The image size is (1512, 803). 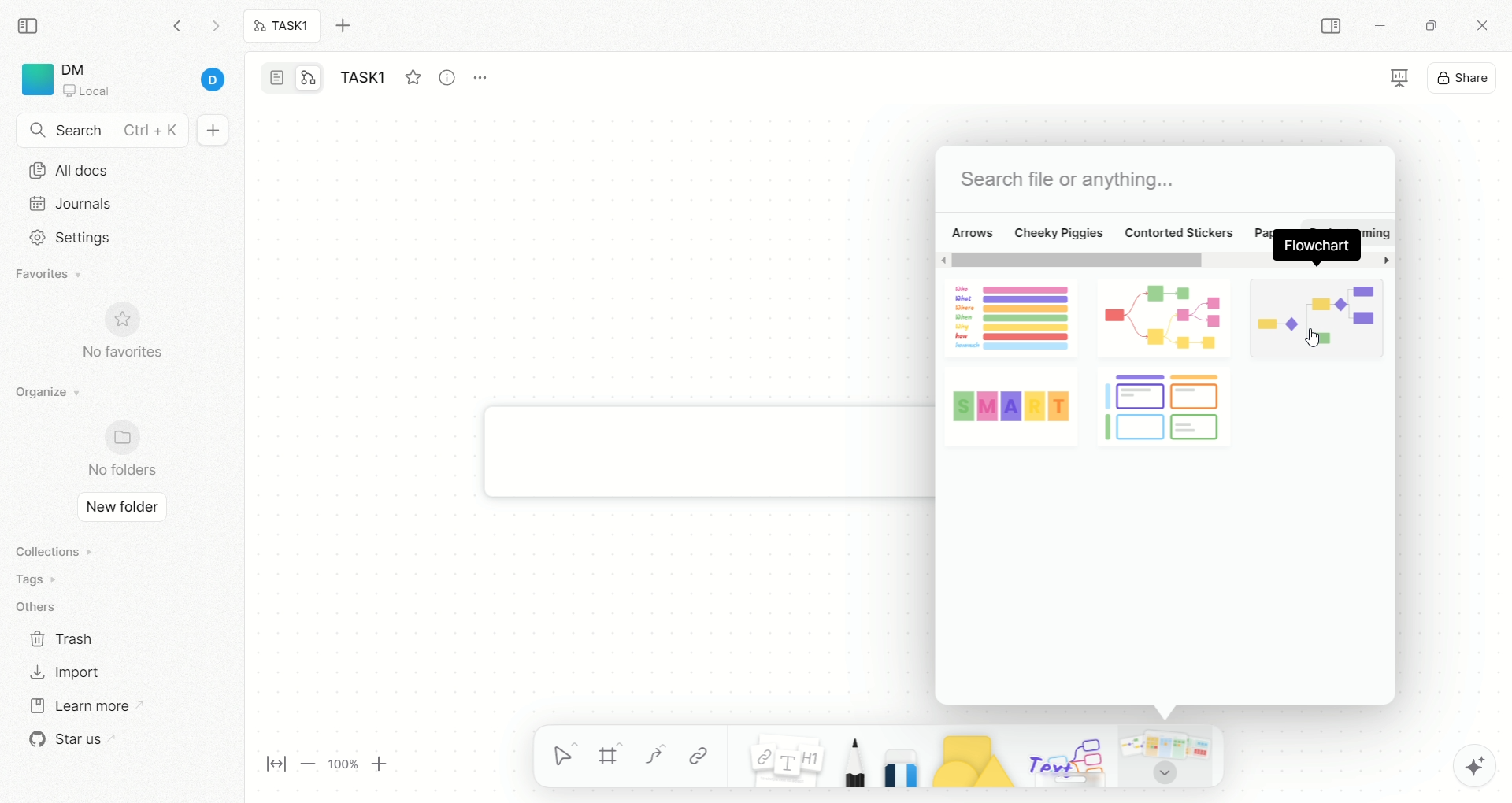 What do you see at coordinates (1386, 80) in the screenshot?
I see `view` at bounding box center [1386, 80].